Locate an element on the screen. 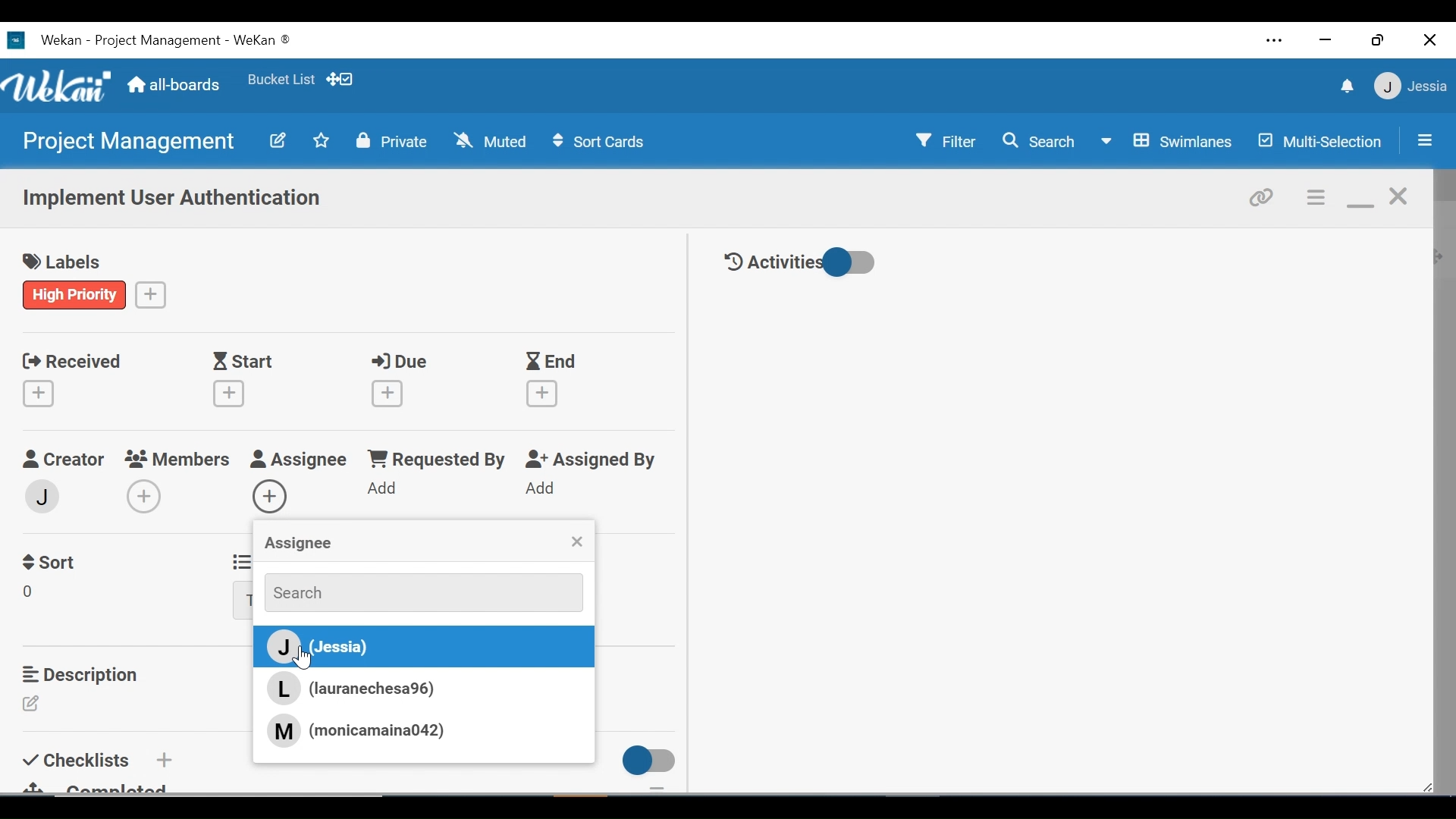  jessia is located at coordinates (1409, 86).